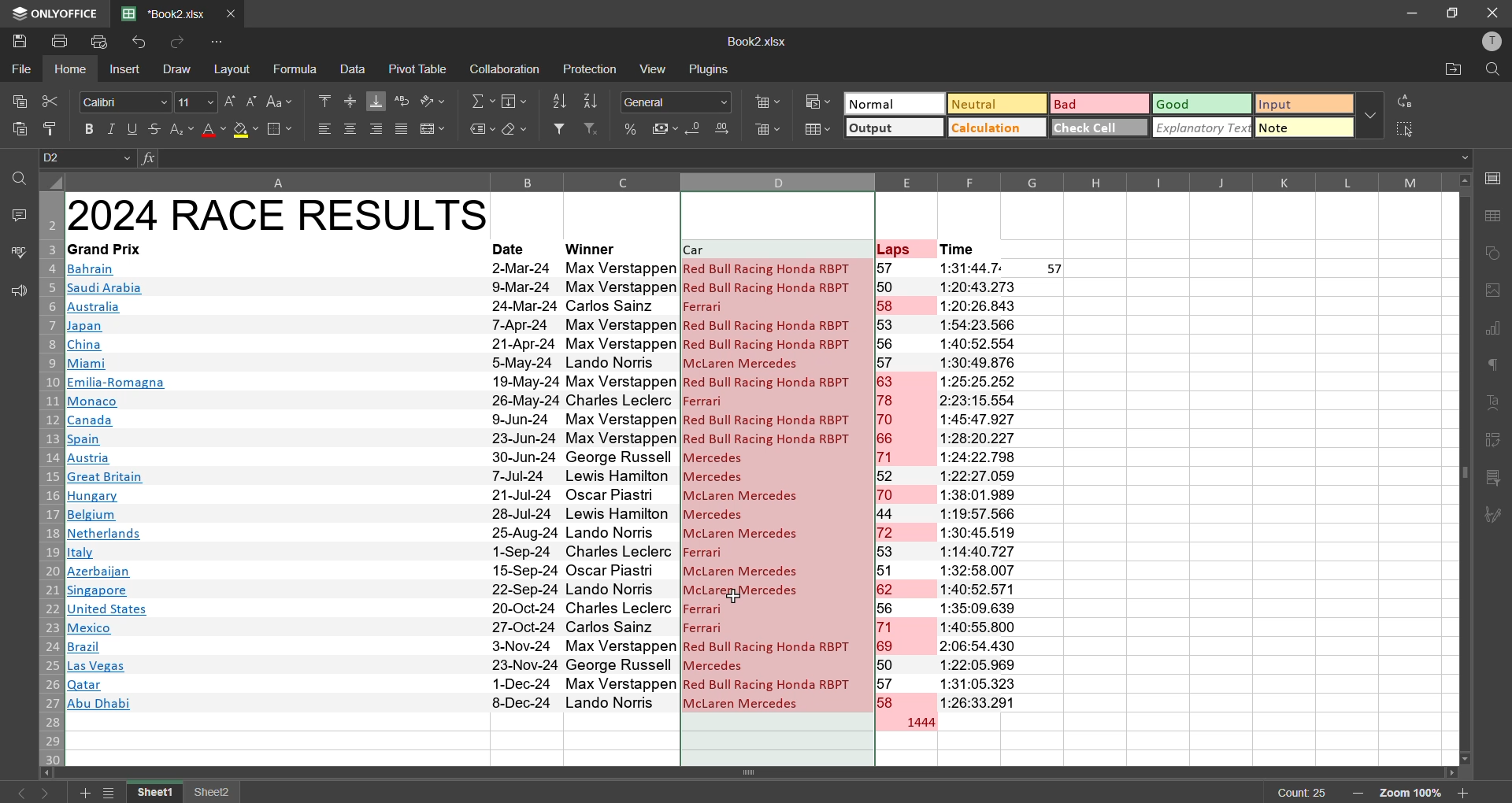 The width and height of the screenshot is (1512, 803). Describe the element at coordinates (1413, 13) in the screenshot. I see `minimize` at that location.